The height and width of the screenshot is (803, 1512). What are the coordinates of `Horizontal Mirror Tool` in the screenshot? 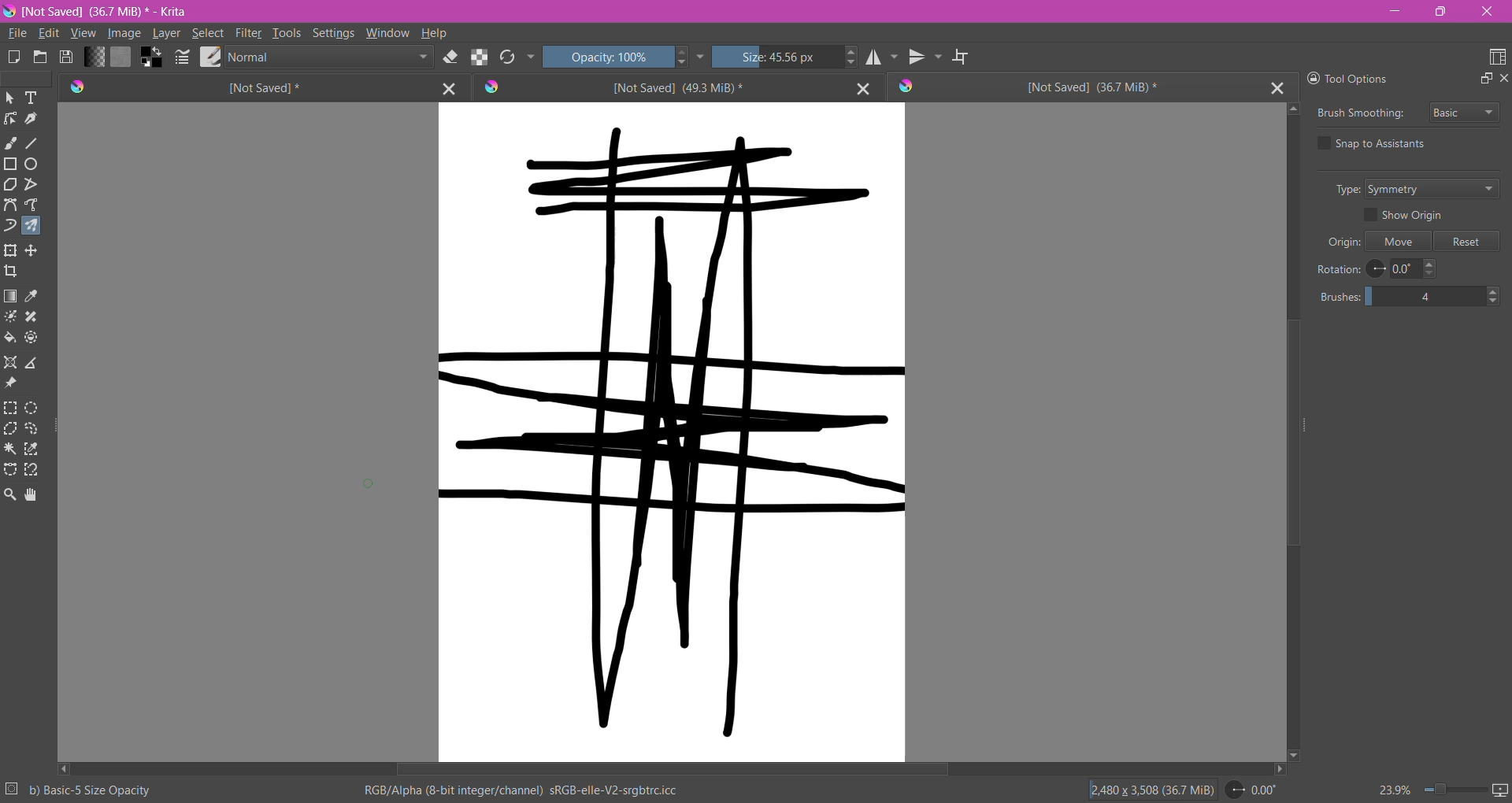 It's located at (881, 57).